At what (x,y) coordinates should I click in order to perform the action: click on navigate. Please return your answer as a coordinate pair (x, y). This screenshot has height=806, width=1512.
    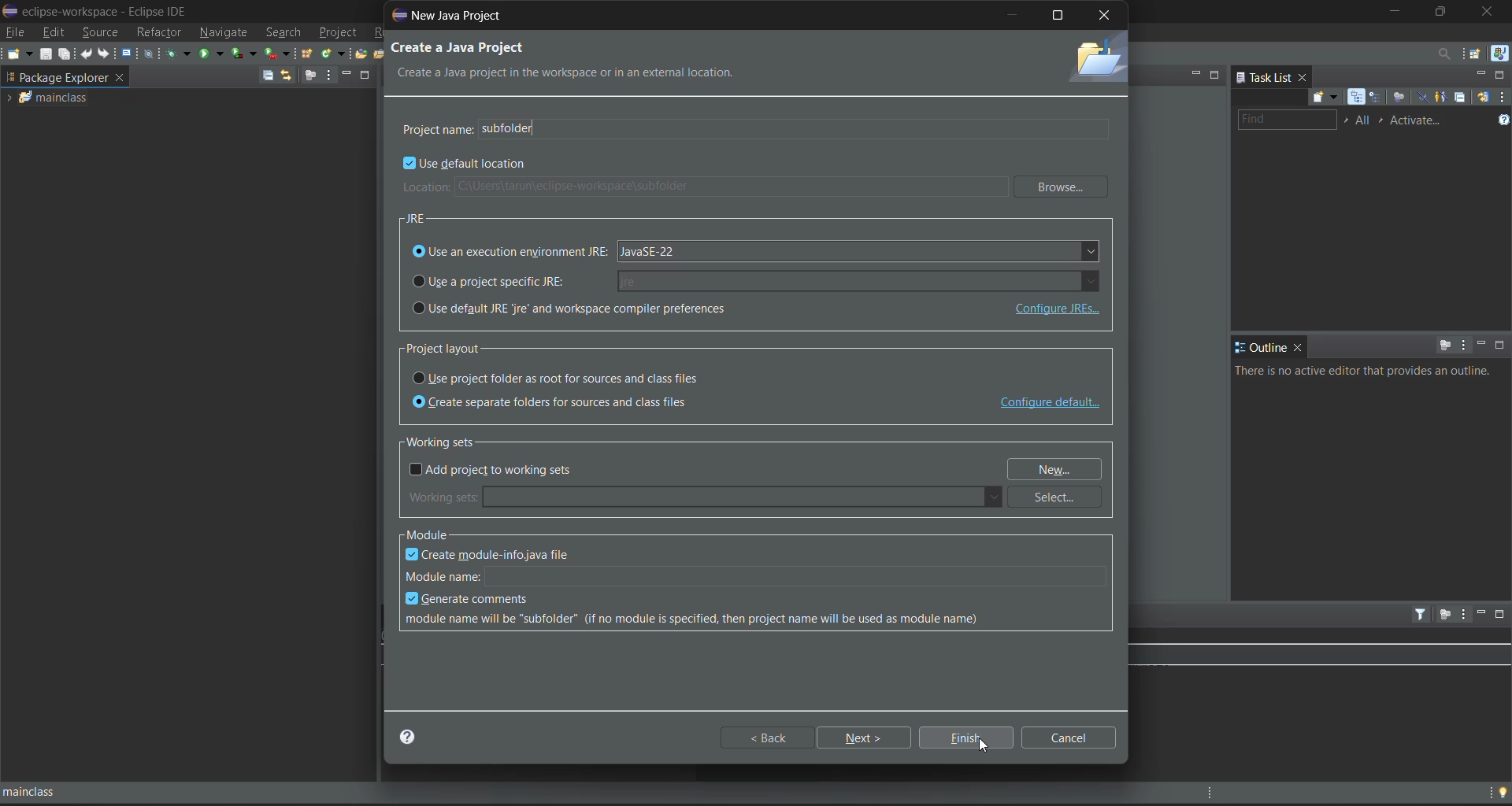
    Looking at the image, I should click on (222, 32).